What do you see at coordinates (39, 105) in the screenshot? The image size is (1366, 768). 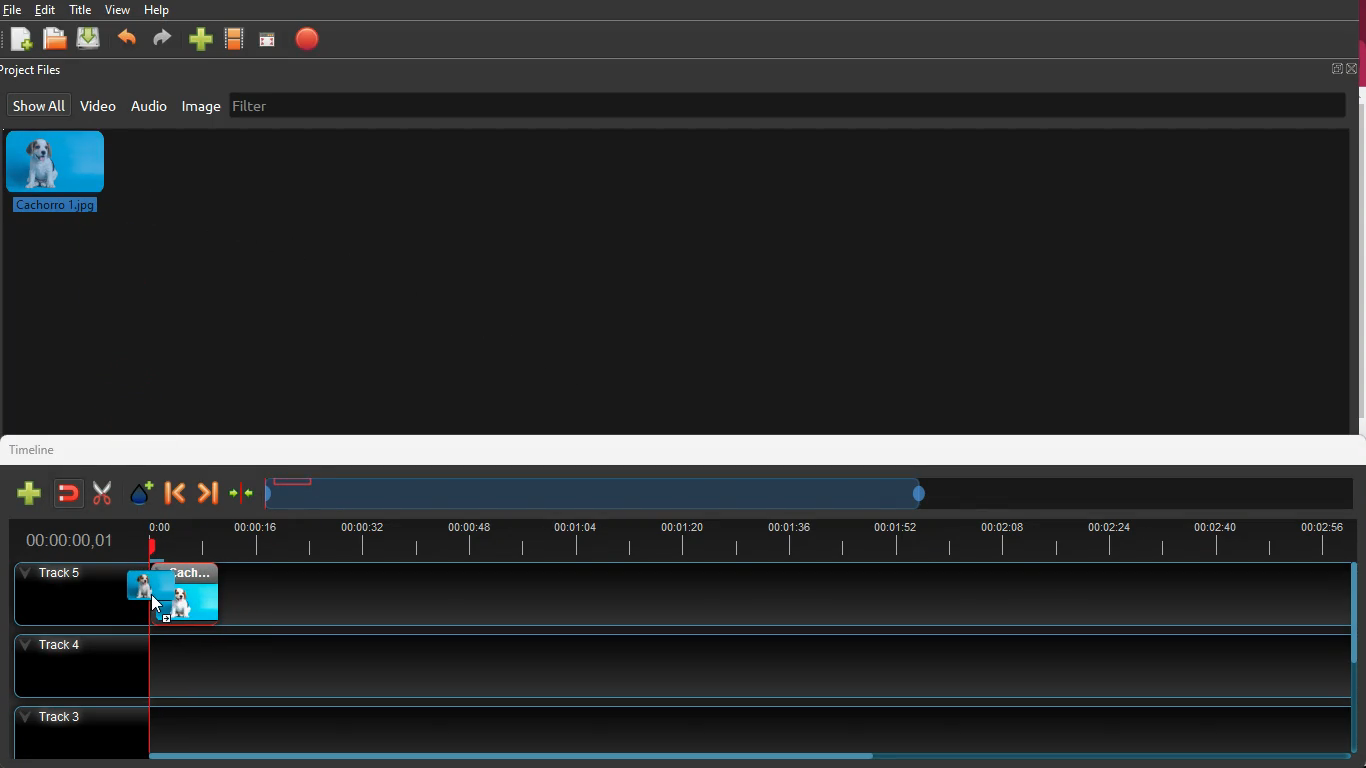 I see `show all` at bounding box center [39, 105].